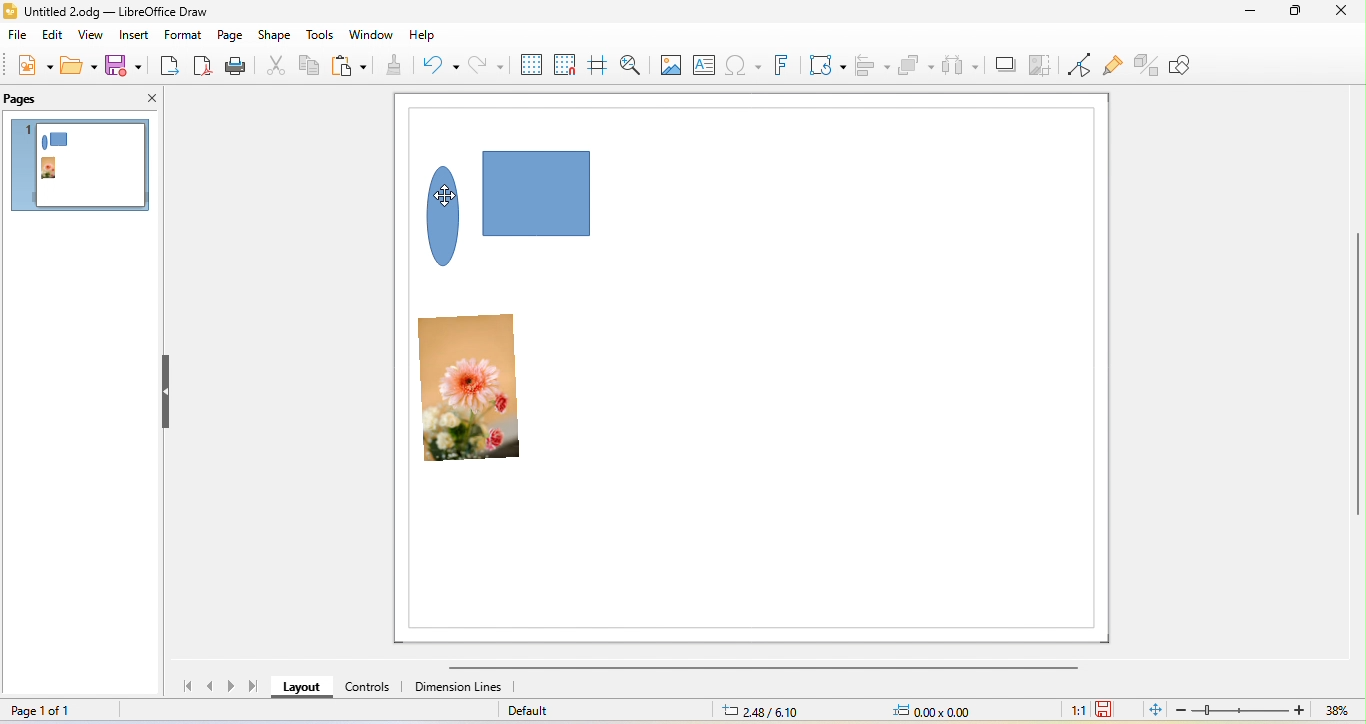 The width and height of the screenshot is (1366, 724). I want to click on close, so click(1342, 14).